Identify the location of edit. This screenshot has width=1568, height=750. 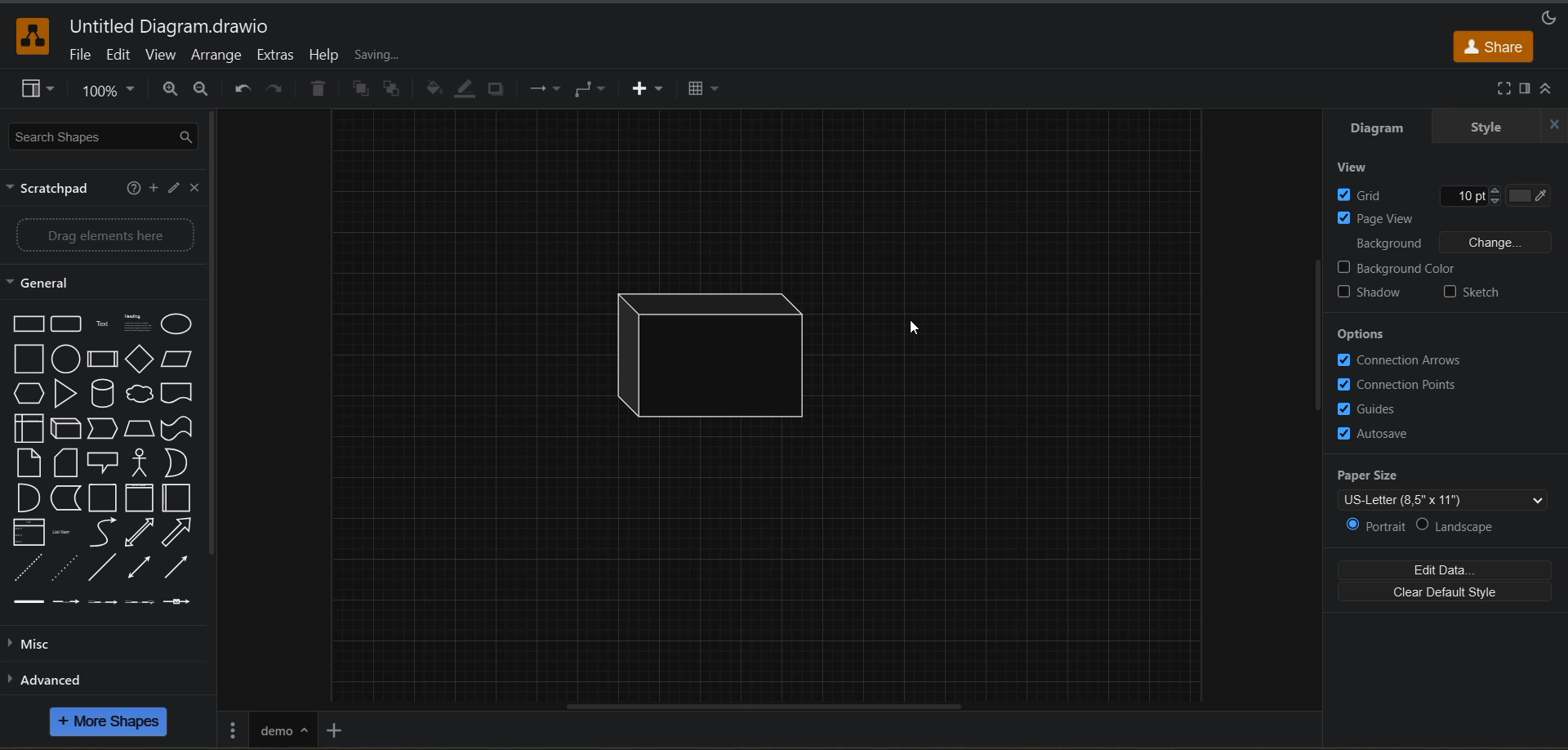
(171, 190).